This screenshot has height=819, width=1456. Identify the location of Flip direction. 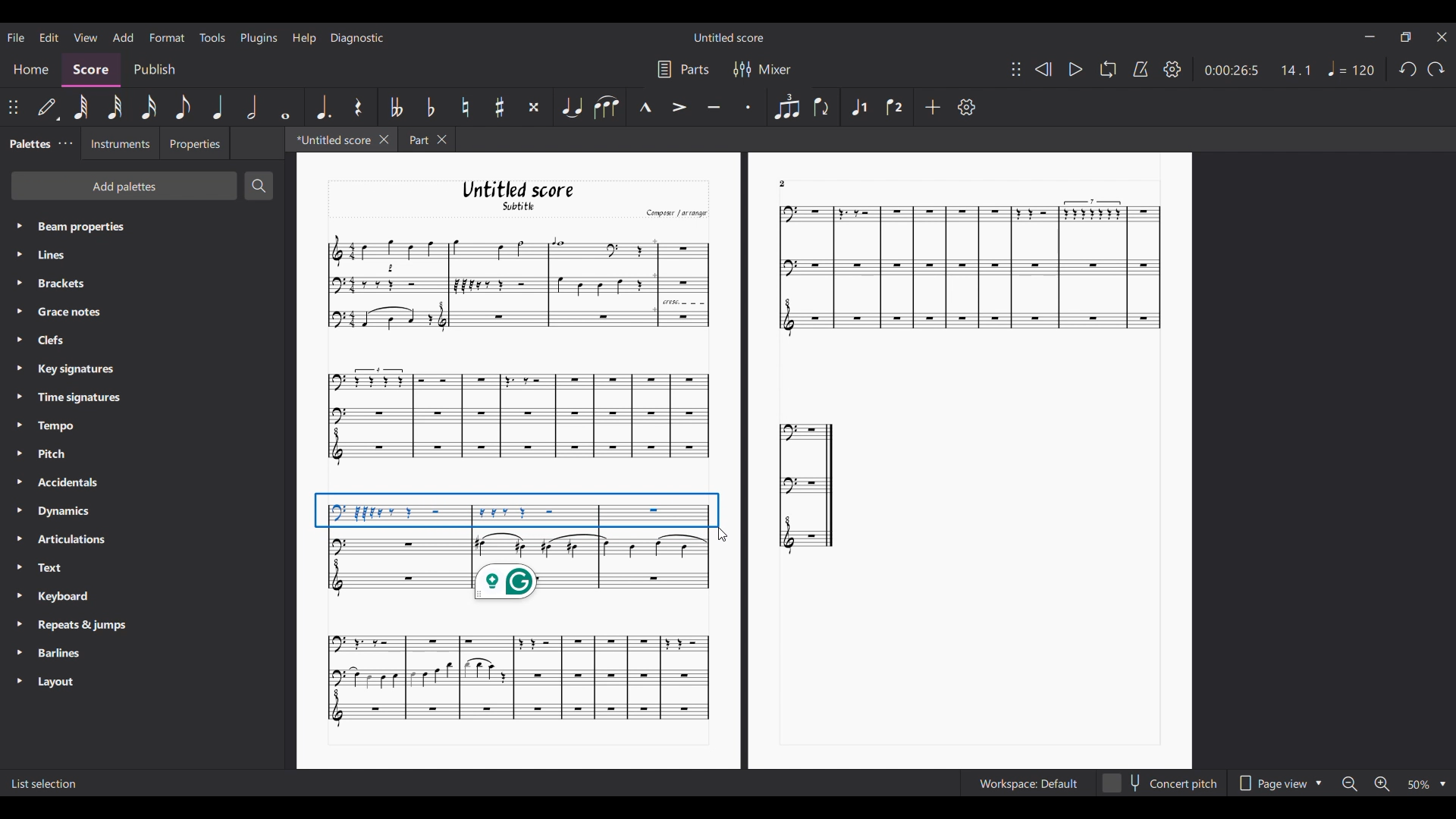
(822, 106).